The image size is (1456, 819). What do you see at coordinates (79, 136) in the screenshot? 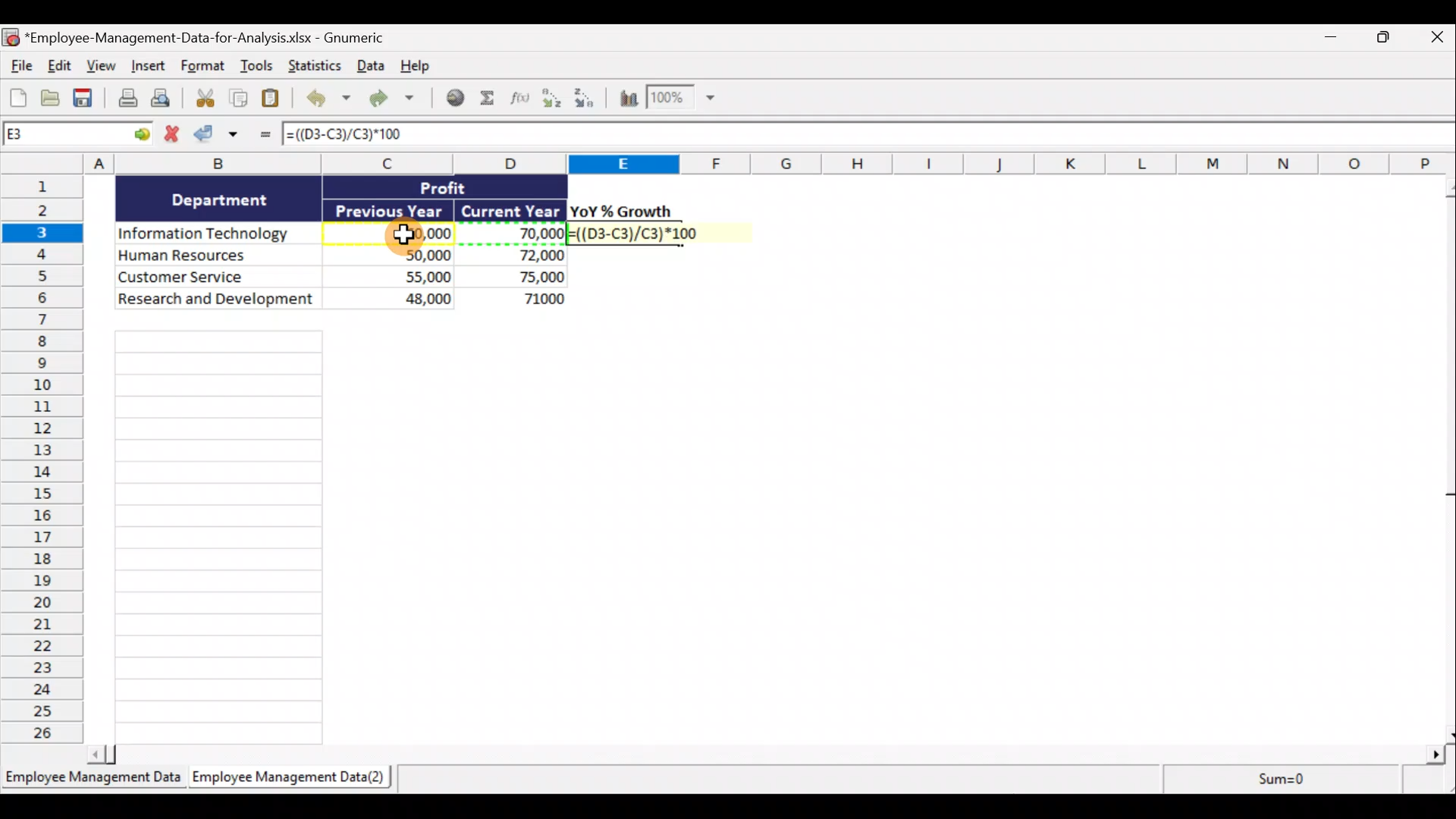
I see `Cell allocation` at bounding box center [79, 136].